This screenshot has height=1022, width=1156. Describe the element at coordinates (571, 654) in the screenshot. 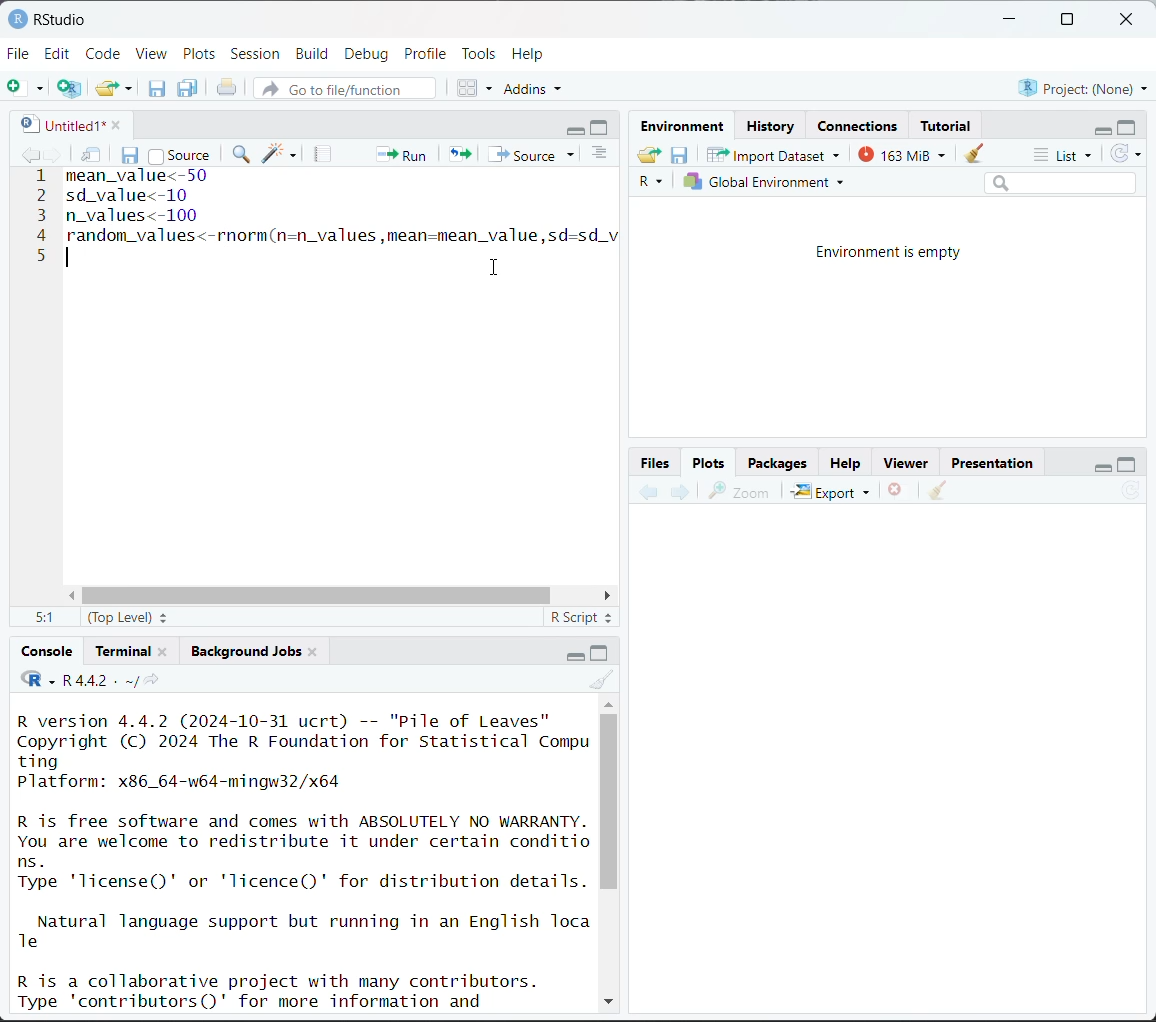

I see `minimize` at that location.